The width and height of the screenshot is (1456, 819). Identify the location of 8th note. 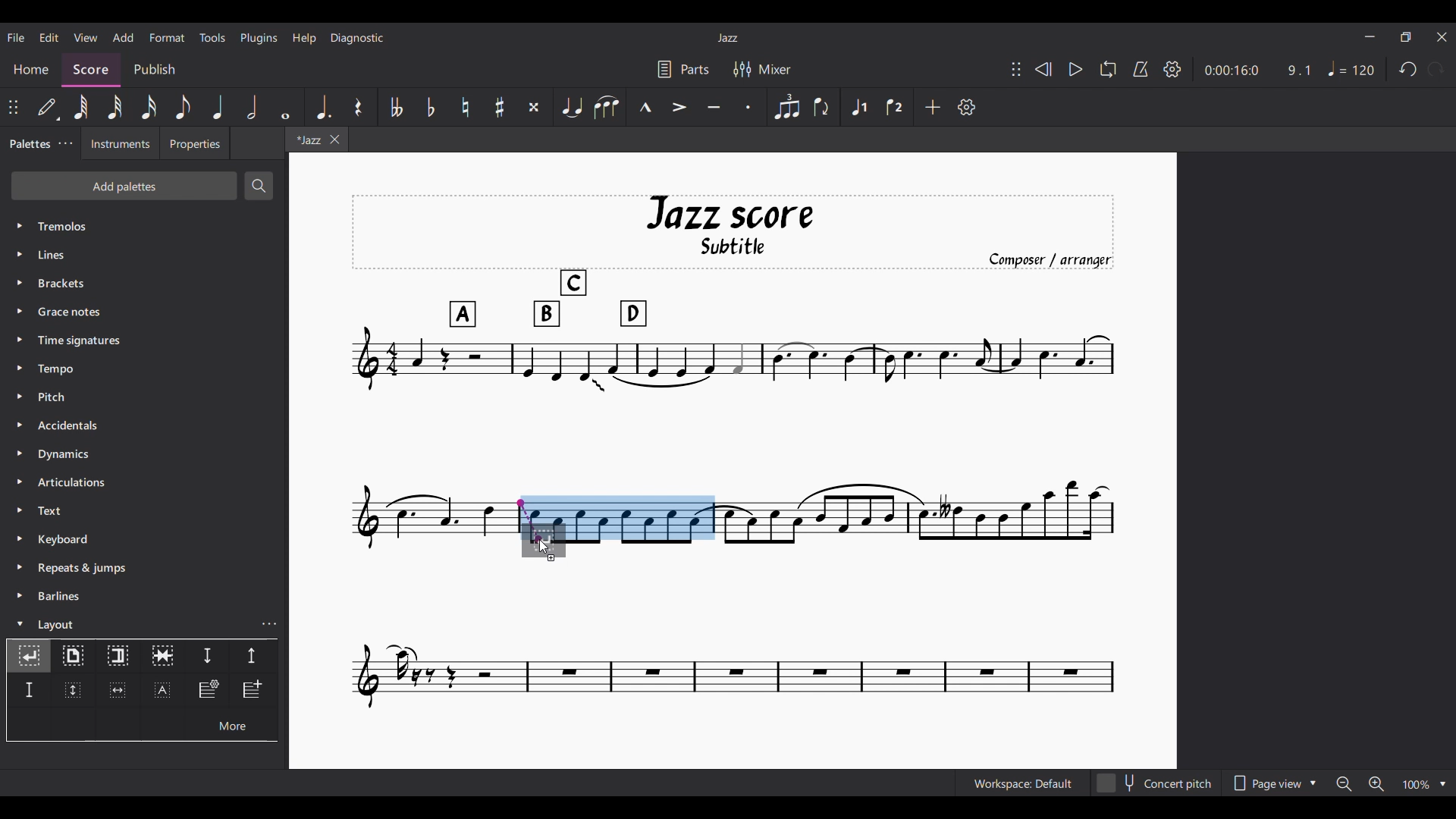
(184, 107).